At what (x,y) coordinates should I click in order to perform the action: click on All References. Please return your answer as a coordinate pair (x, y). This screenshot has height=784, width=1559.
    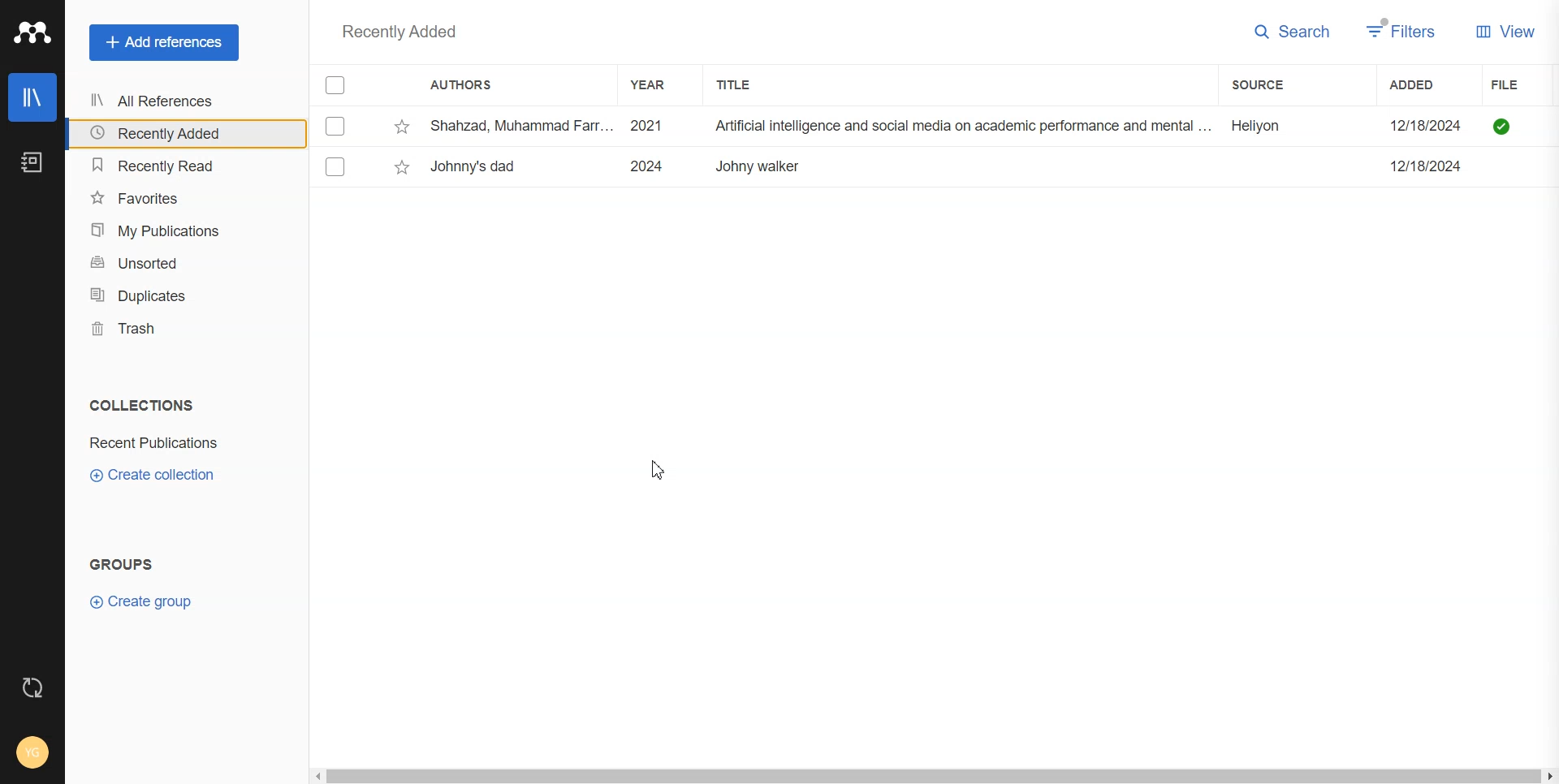
    Looking at the image, I should click on (181, 101).